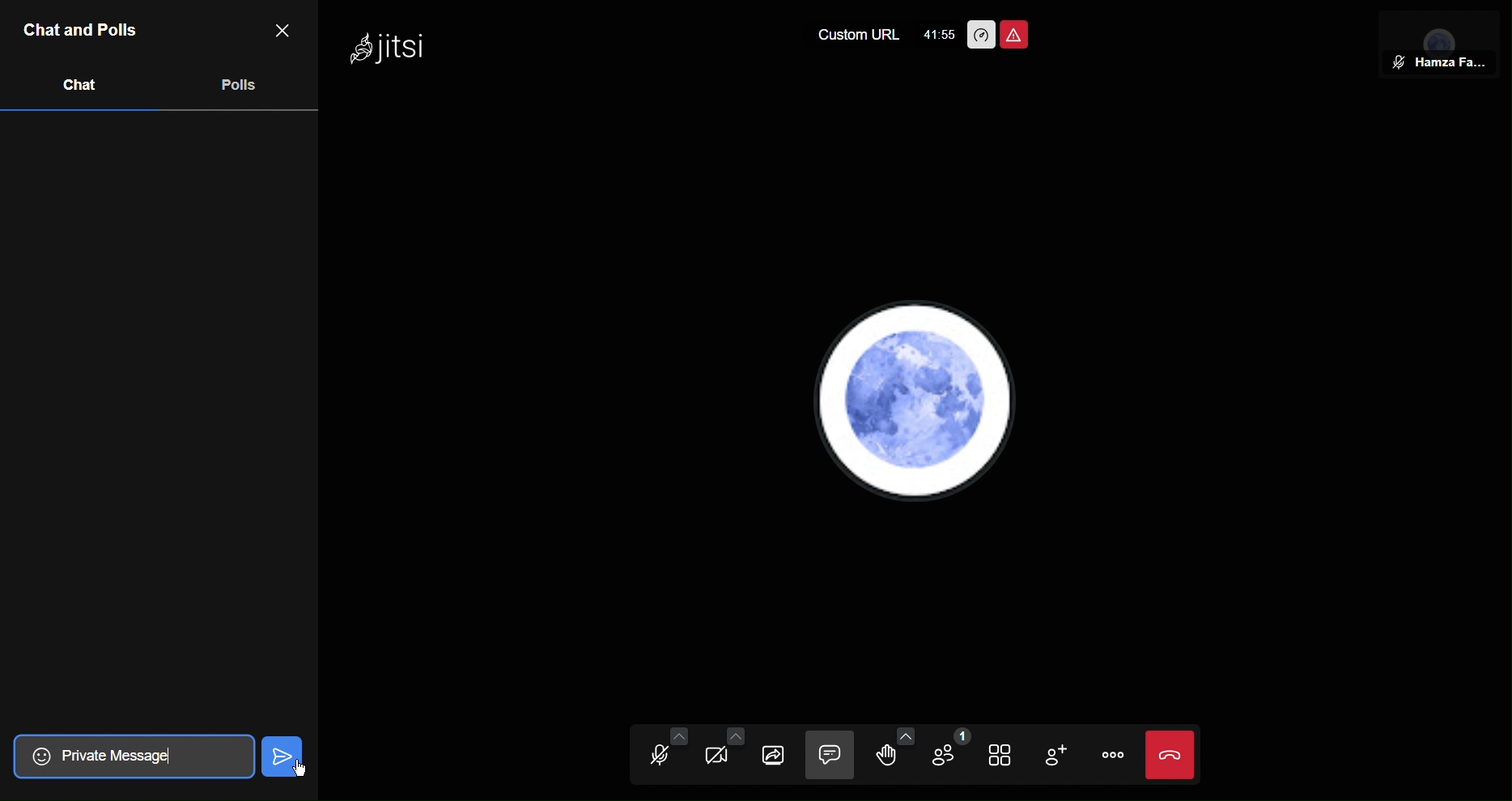 The width and height of the screenshot is (1512, 801). What do you see at coordinates (662, 755) in the screenshot?
I see `Audio` at bounding box center [662, 755].